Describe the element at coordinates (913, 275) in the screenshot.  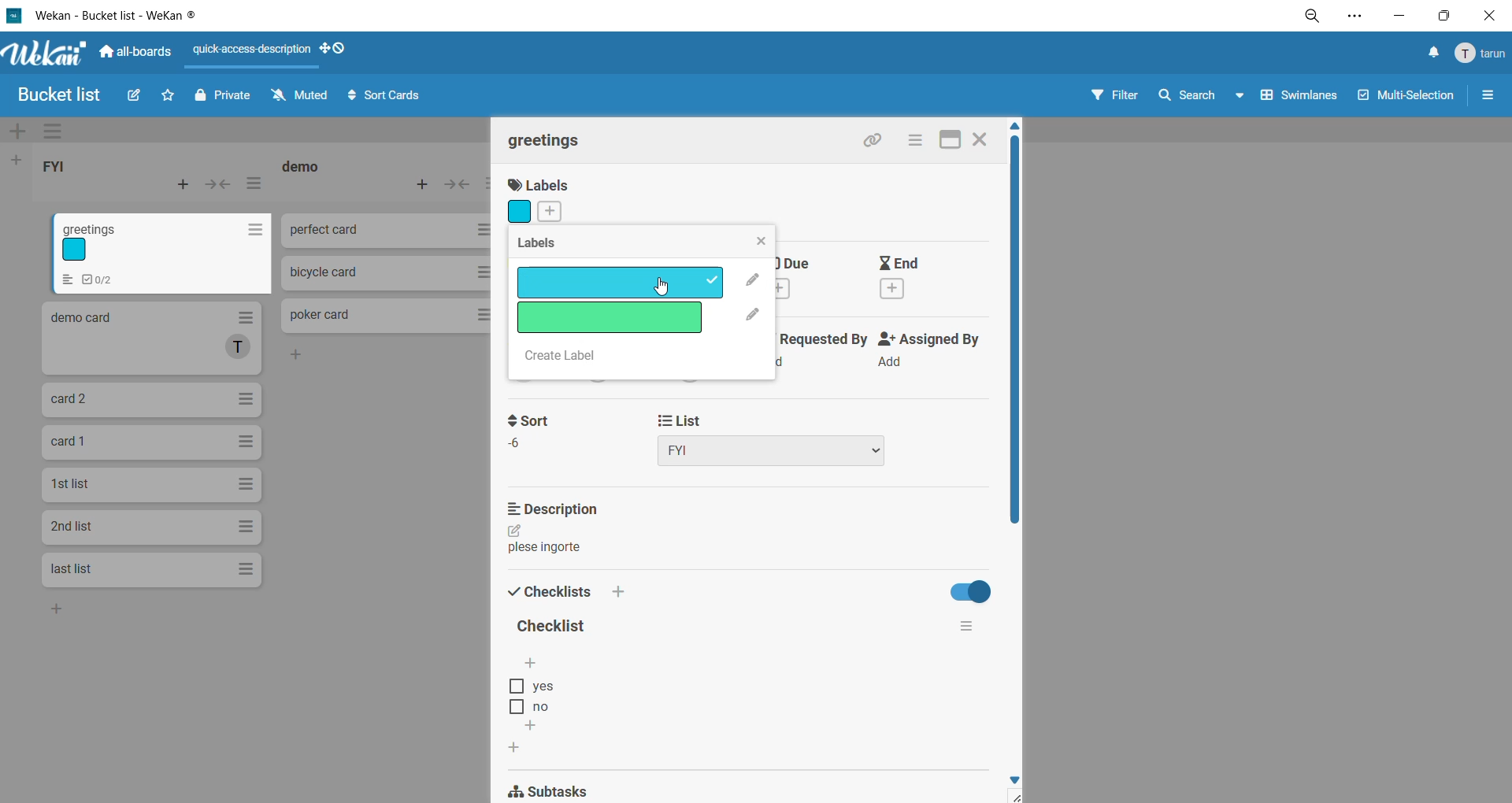
I see `end` at that location.